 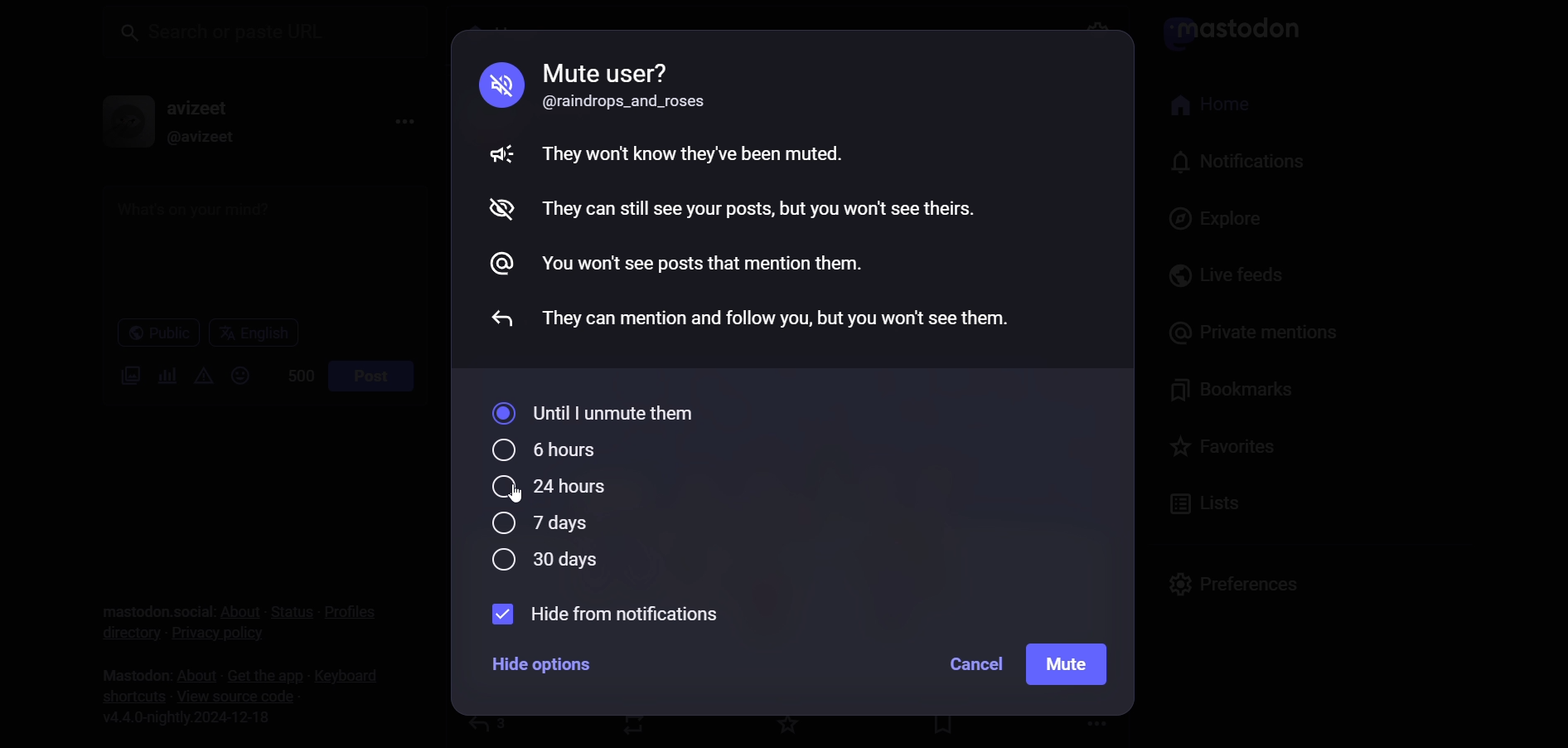 What do you see at coordinates (598, 411) in the screenshot?
I see `until I unmute them` at bounding box center [598, 411].